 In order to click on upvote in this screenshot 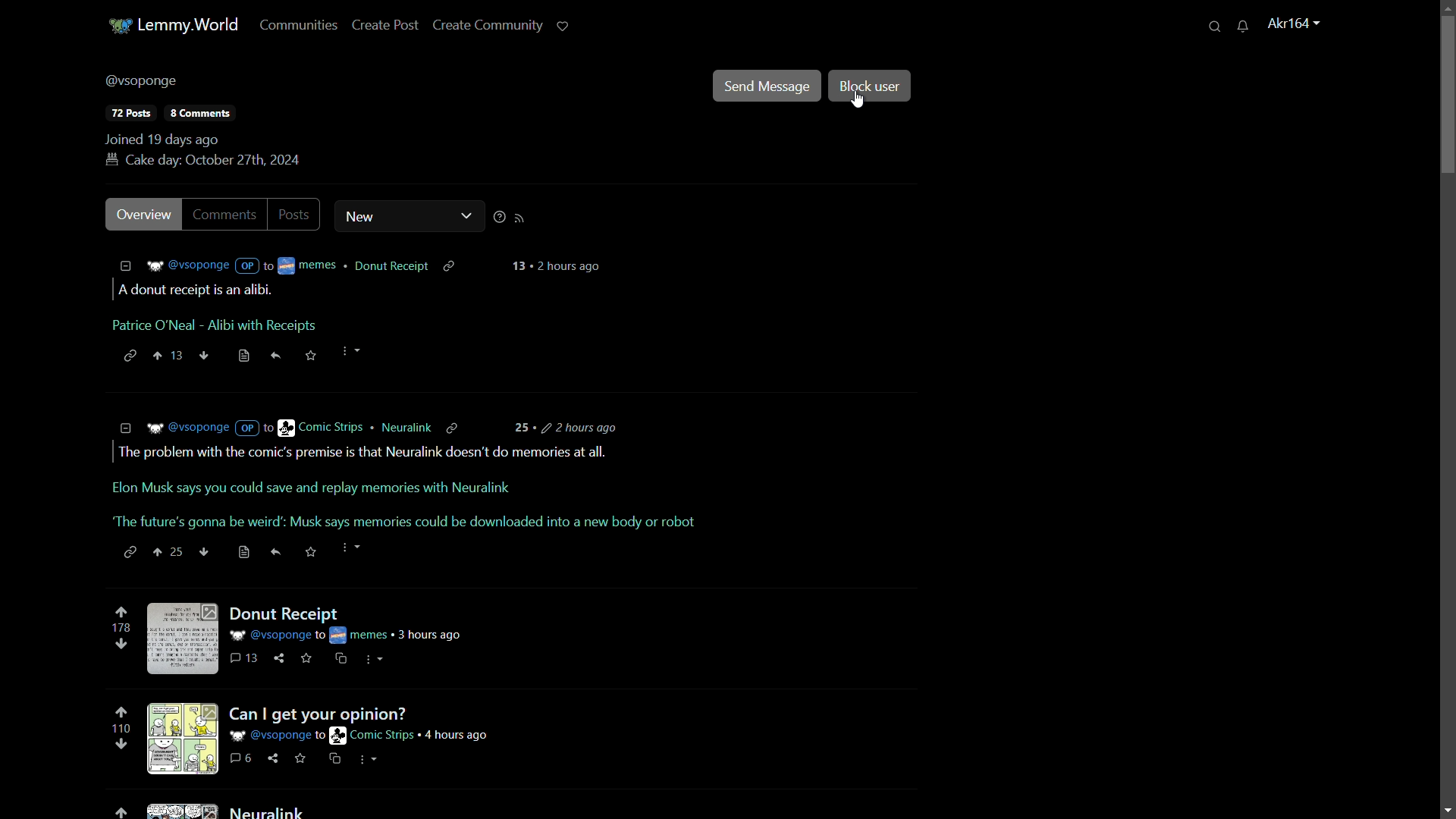, I will do `click(122, 813)`.